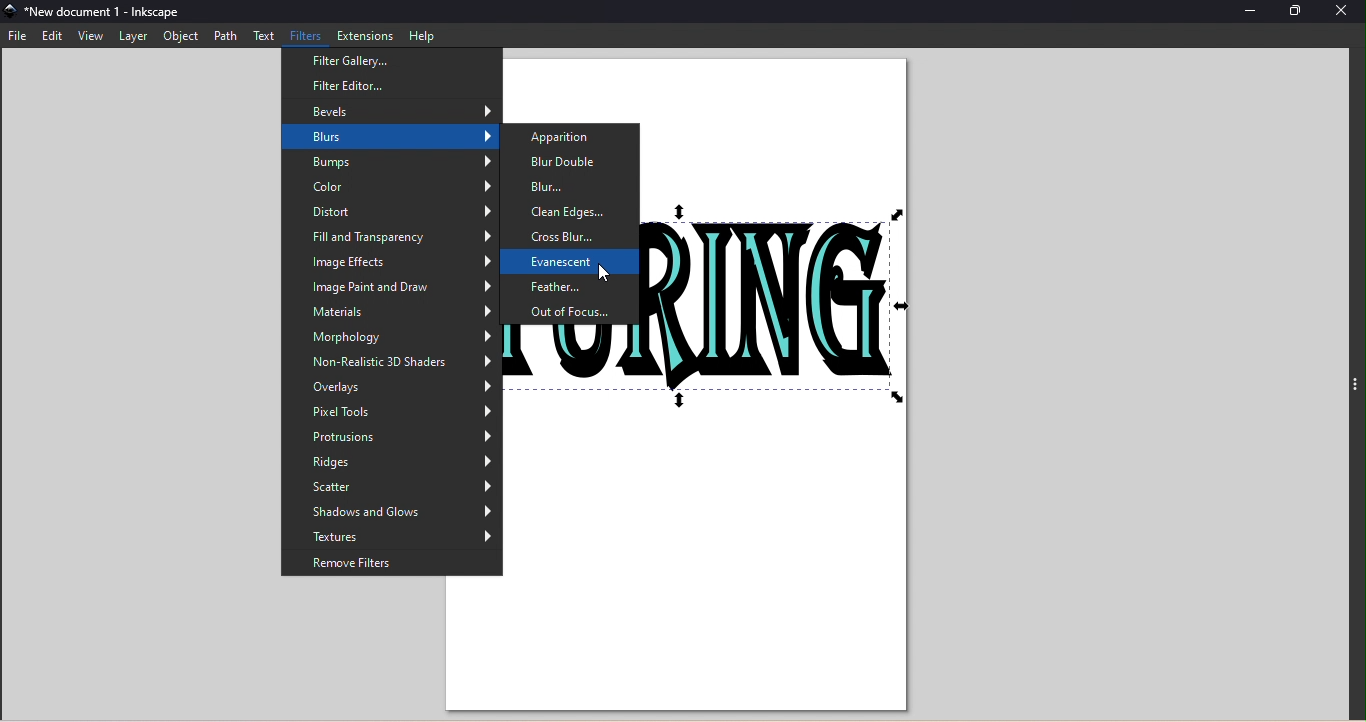 The image size is (1366, 722). What do you see at coordinates (1251, 11) in the screenshot?
I see `Minimize` at bounding box center [1251, 11].